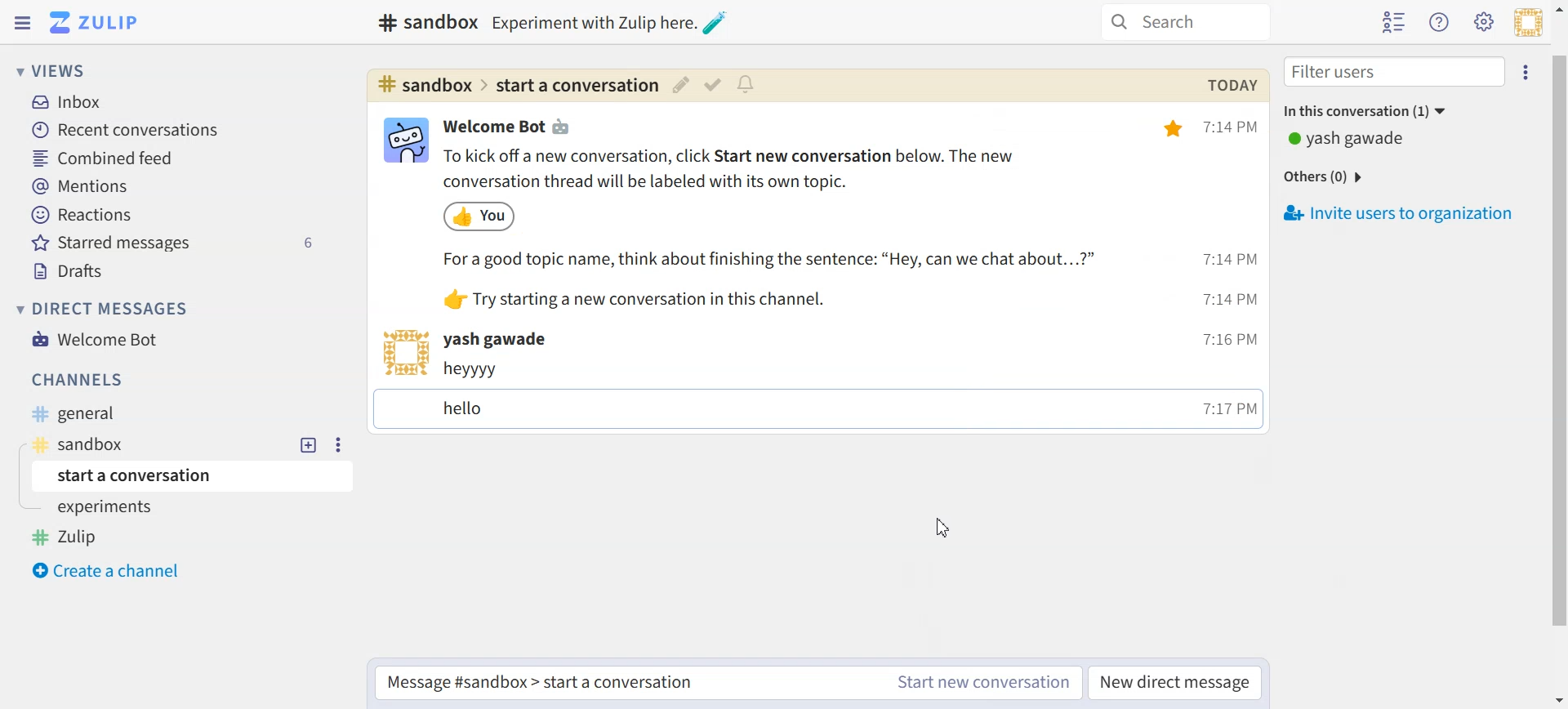 This screenshot has width=1568, height=709. I want to click on Recent conversation, so click(124, 130).